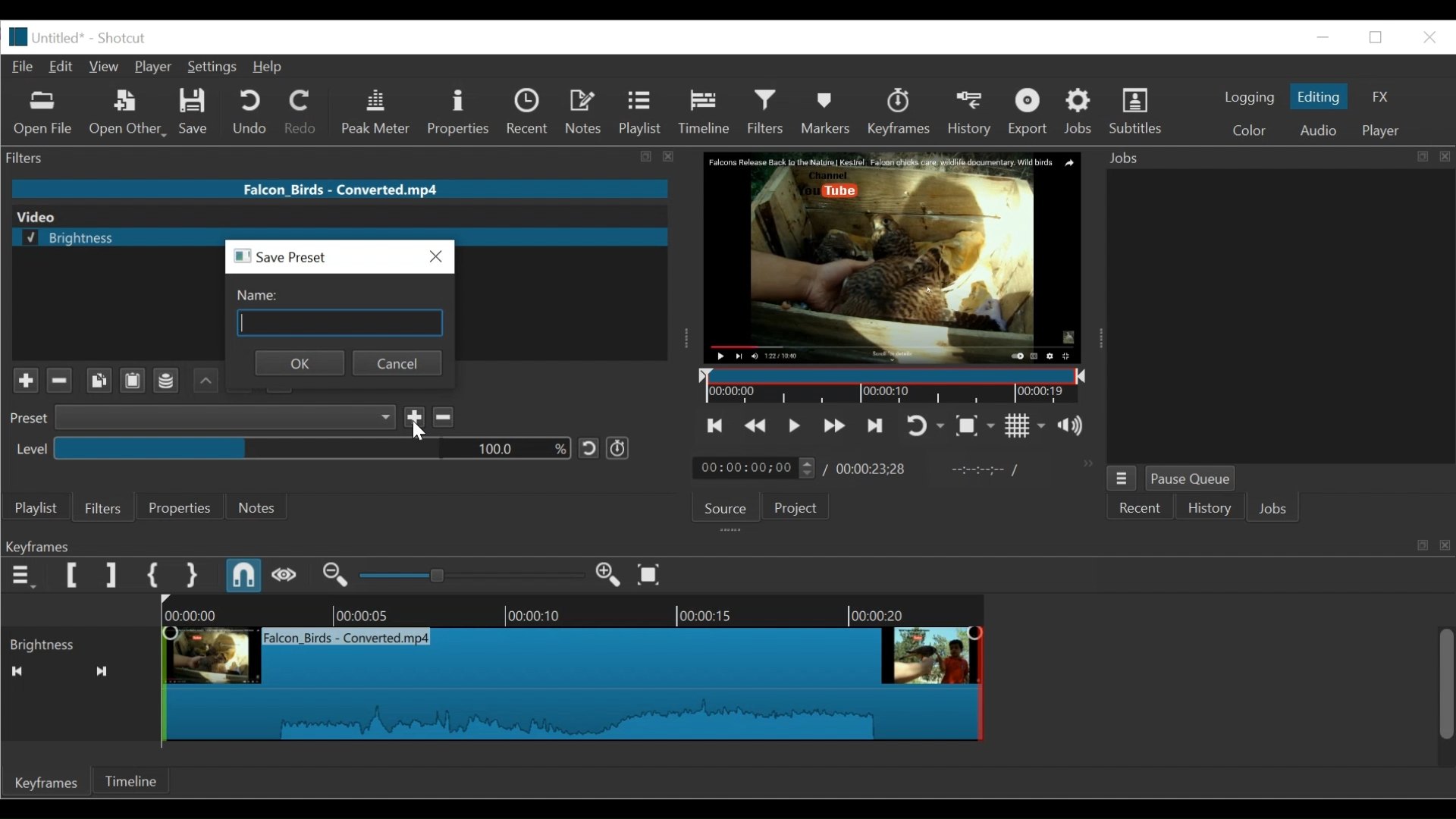 The image size is (1456, 819). I want to click on Restore, so click(1325, 35).